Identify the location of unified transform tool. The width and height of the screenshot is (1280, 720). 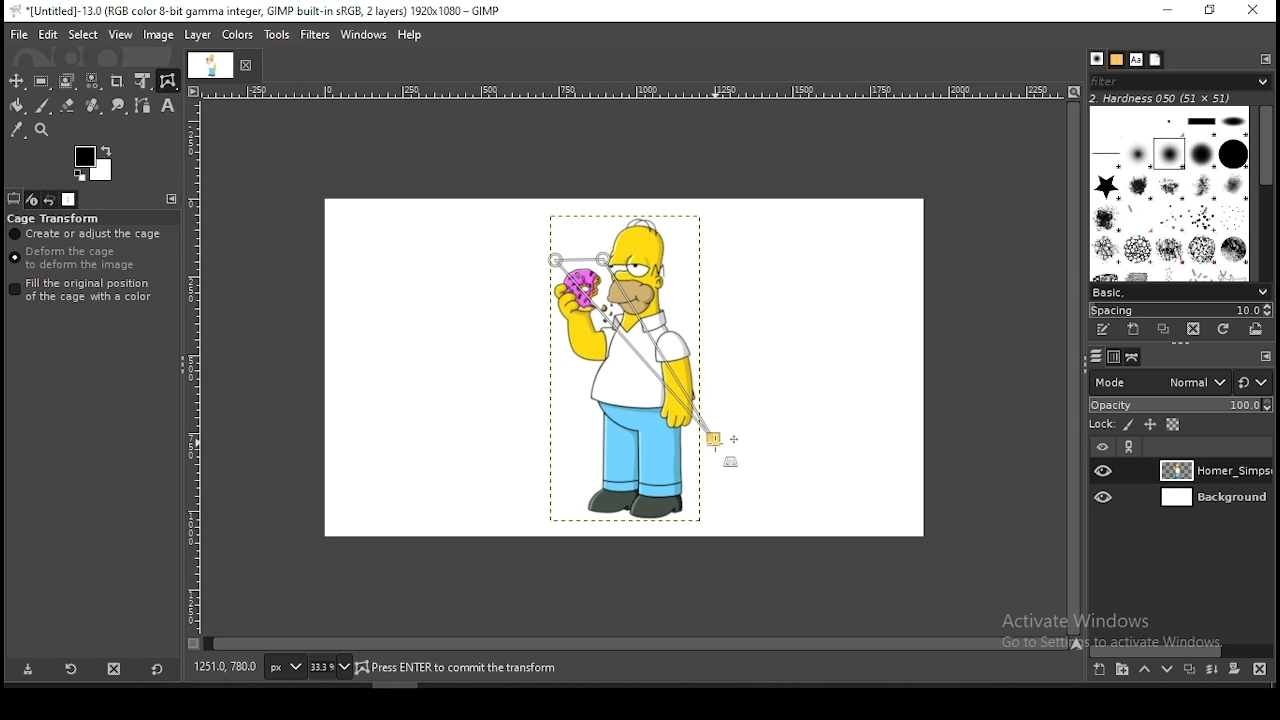
(143, 81).